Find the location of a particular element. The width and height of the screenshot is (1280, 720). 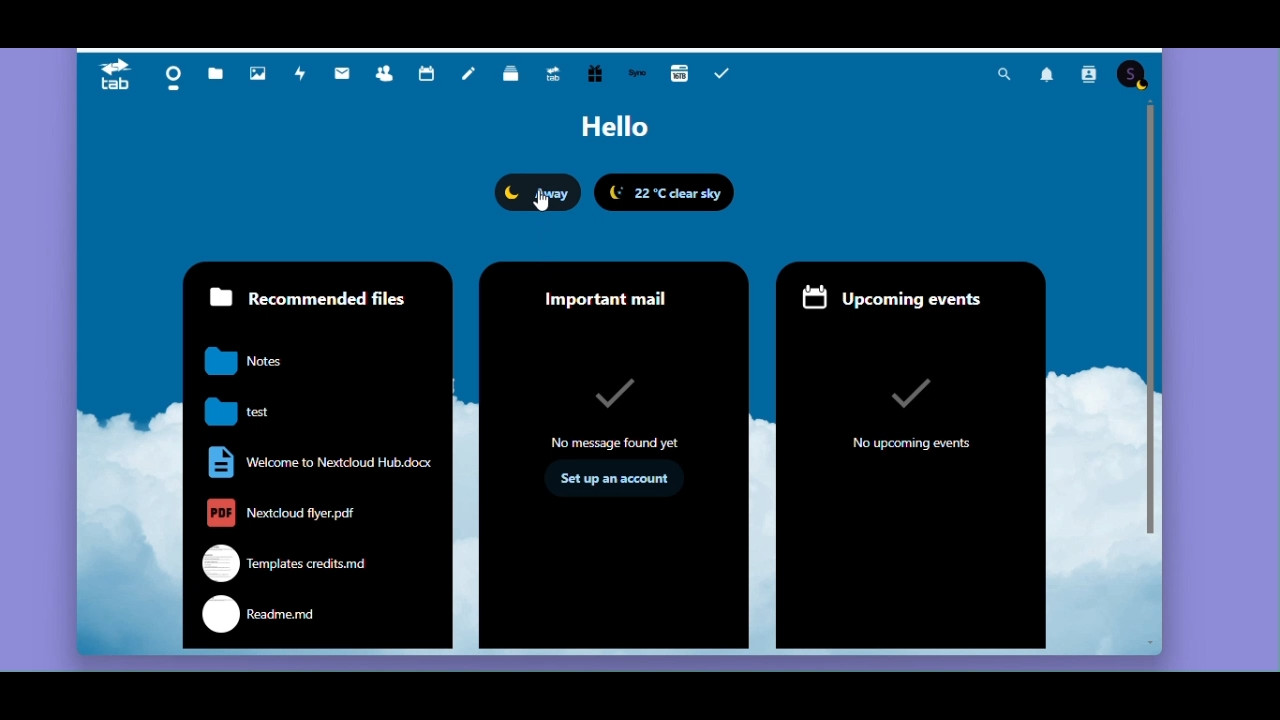

Activity is located at coordinates (301, 74).